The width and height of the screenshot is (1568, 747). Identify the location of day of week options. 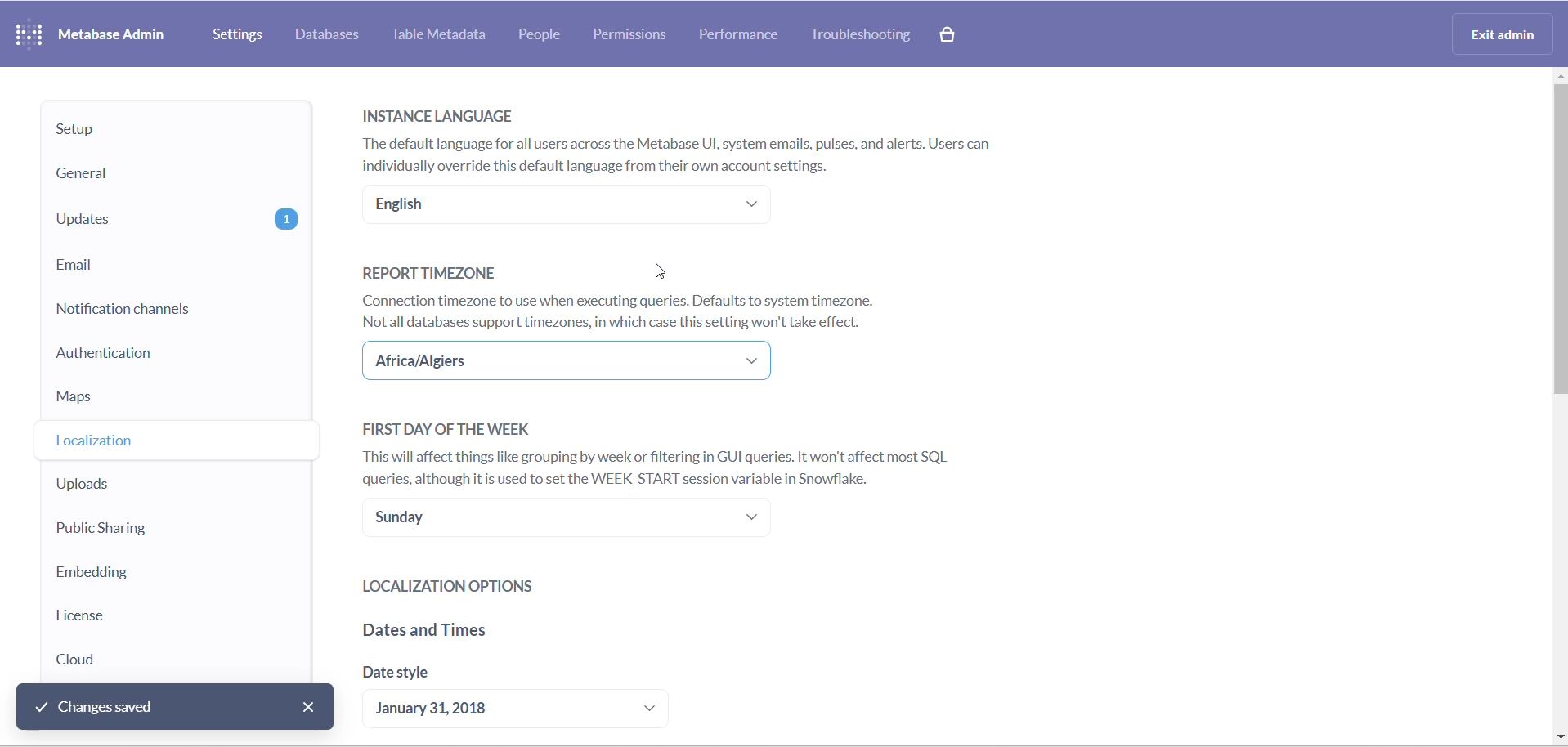
(572, 521).